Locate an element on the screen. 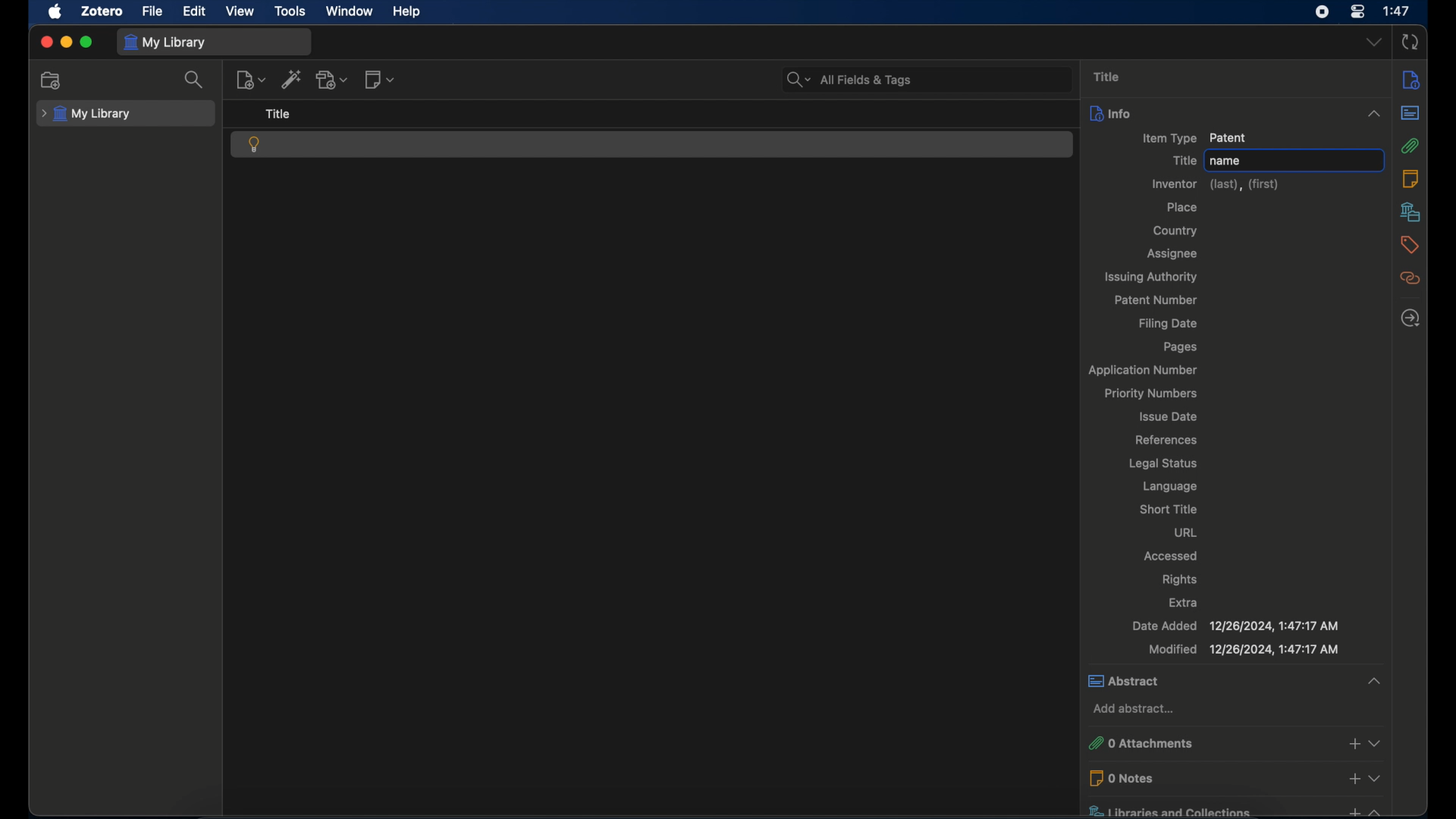  language is located at coordinates (1170, 486).